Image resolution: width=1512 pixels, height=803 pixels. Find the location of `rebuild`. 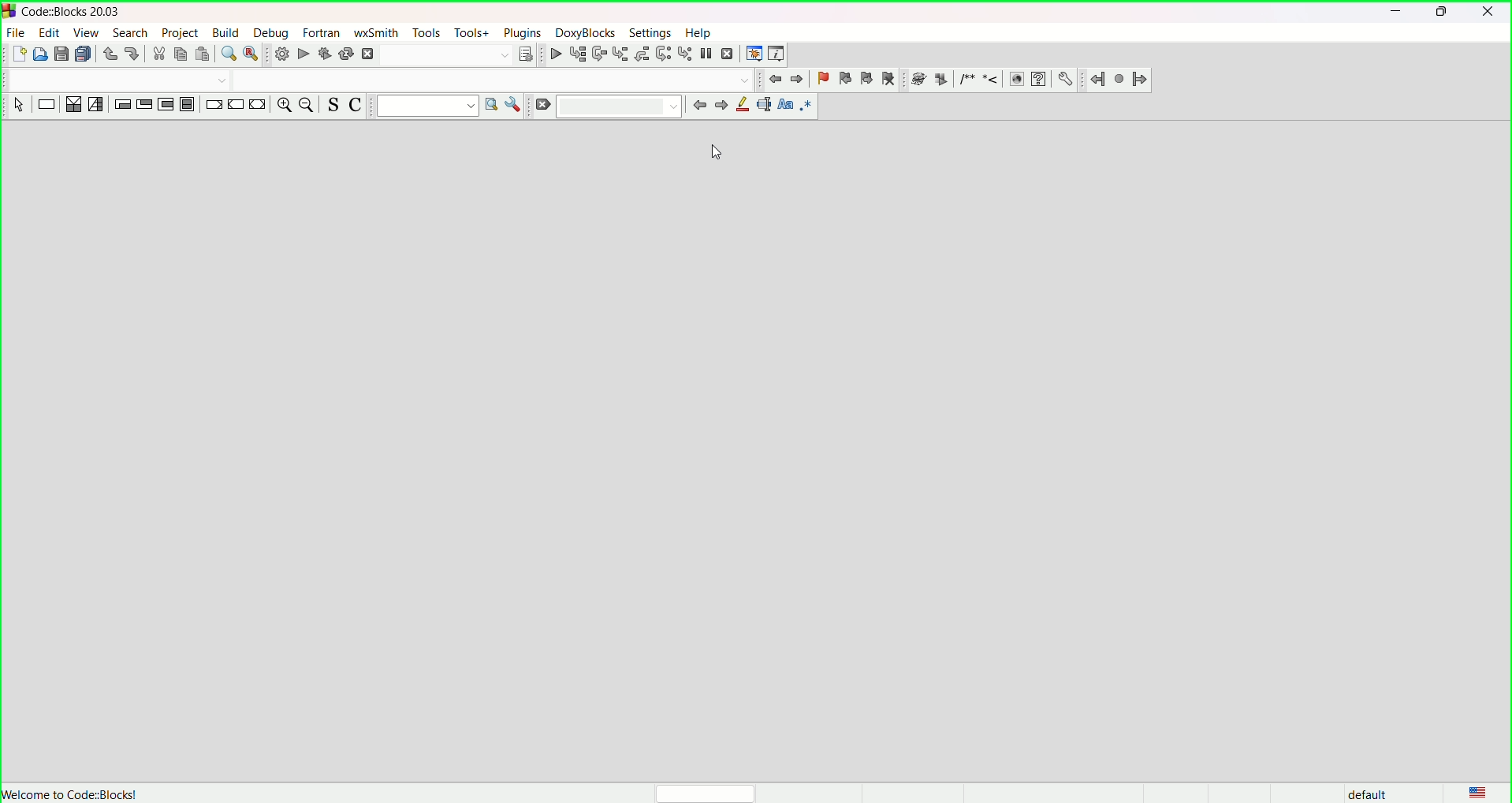

rebuild is located at coordinates (345, 54).